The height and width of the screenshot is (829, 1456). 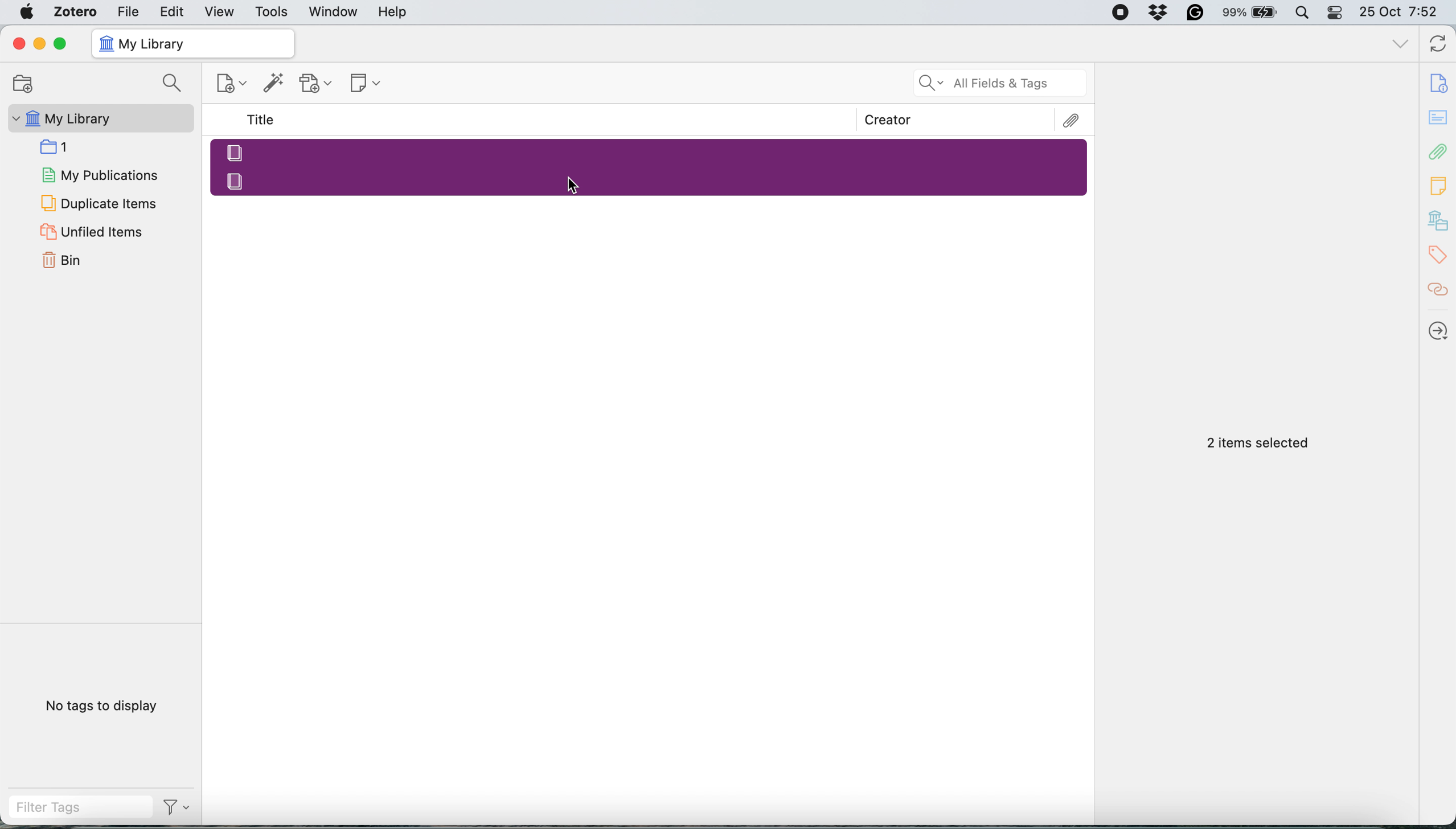 What do you see at coordinates (233, 85) in the screenshot?
I see `New Item` at bounding box center [233, 85].